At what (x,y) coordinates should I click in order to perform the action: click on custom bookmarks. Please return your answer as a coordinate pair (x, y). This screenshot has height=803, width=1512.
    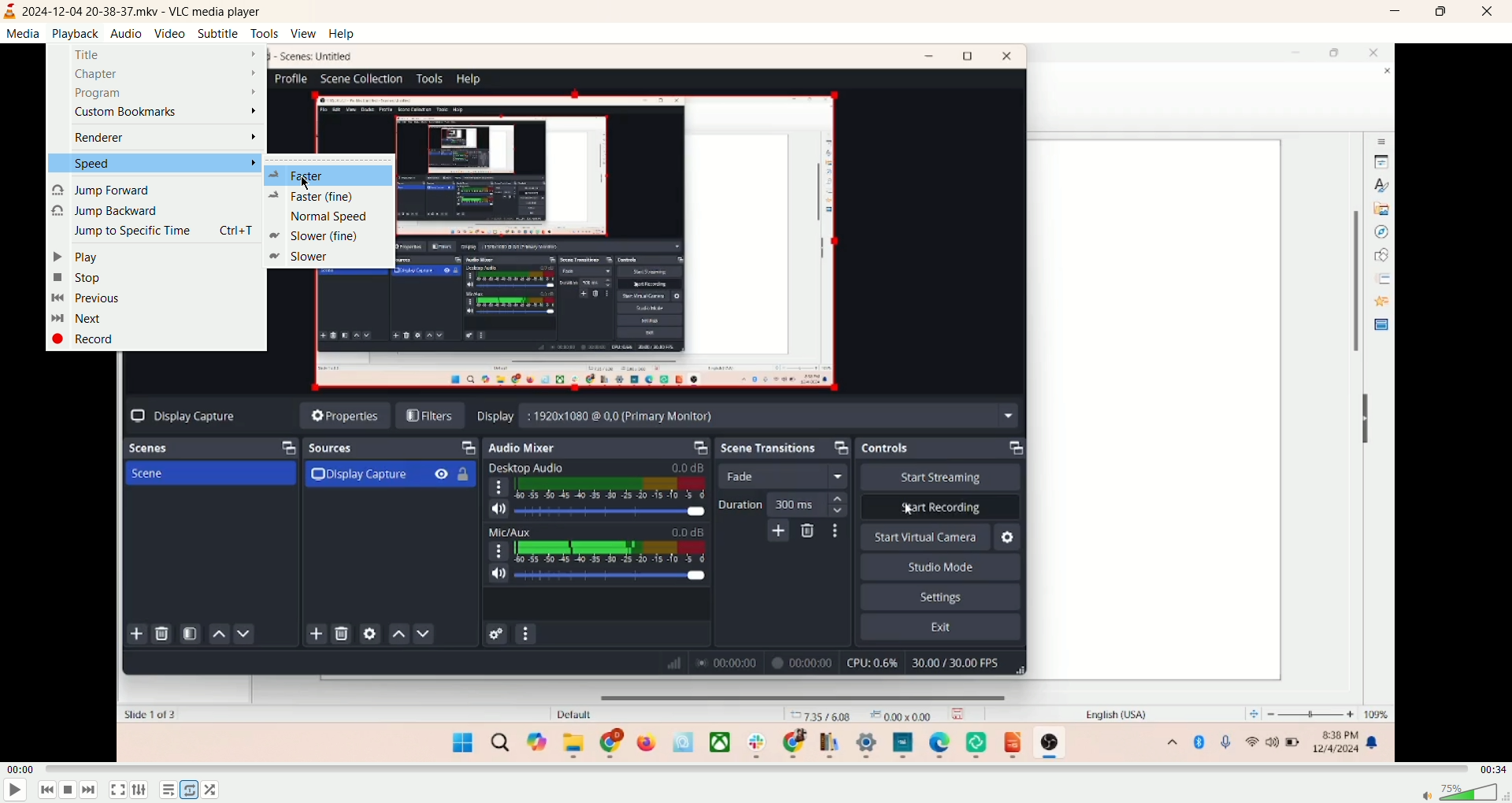
    Looking at the image, I should click on (169, 113).